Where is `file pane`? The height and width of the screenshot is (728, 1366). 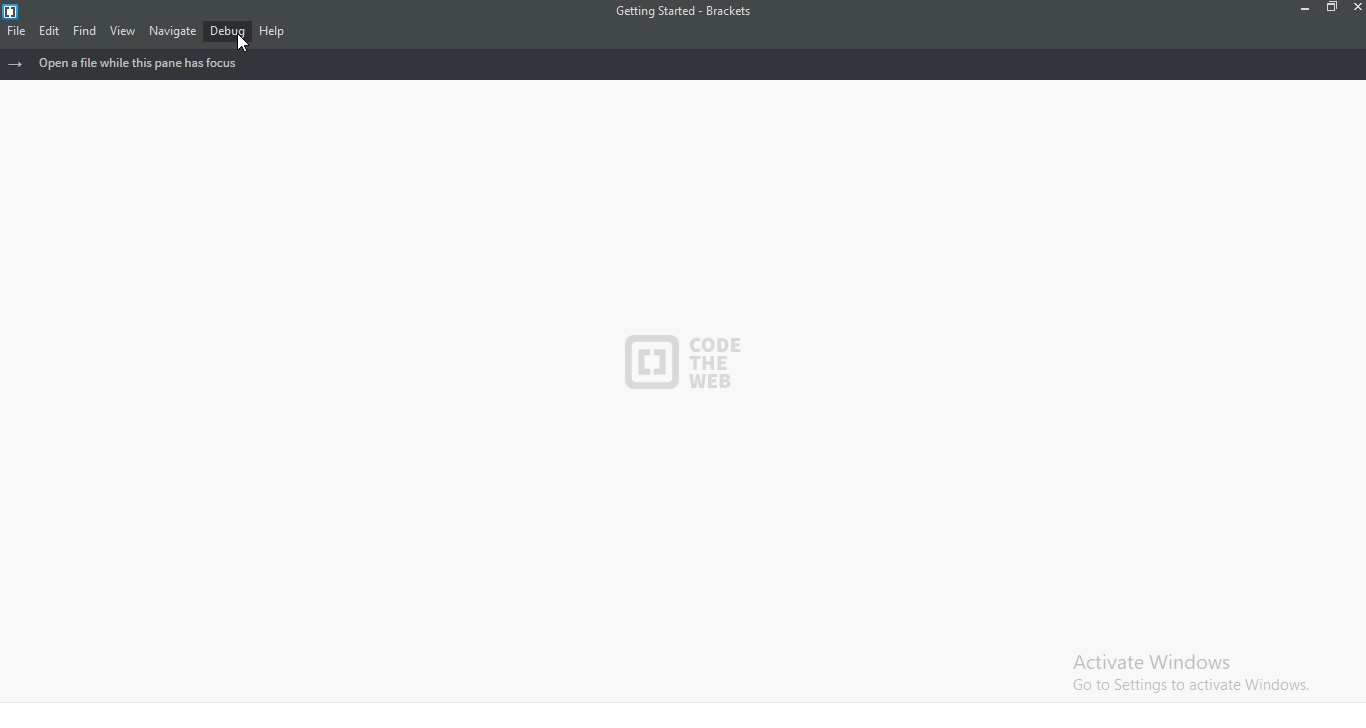
file pane is located at coordinates (684, 64).